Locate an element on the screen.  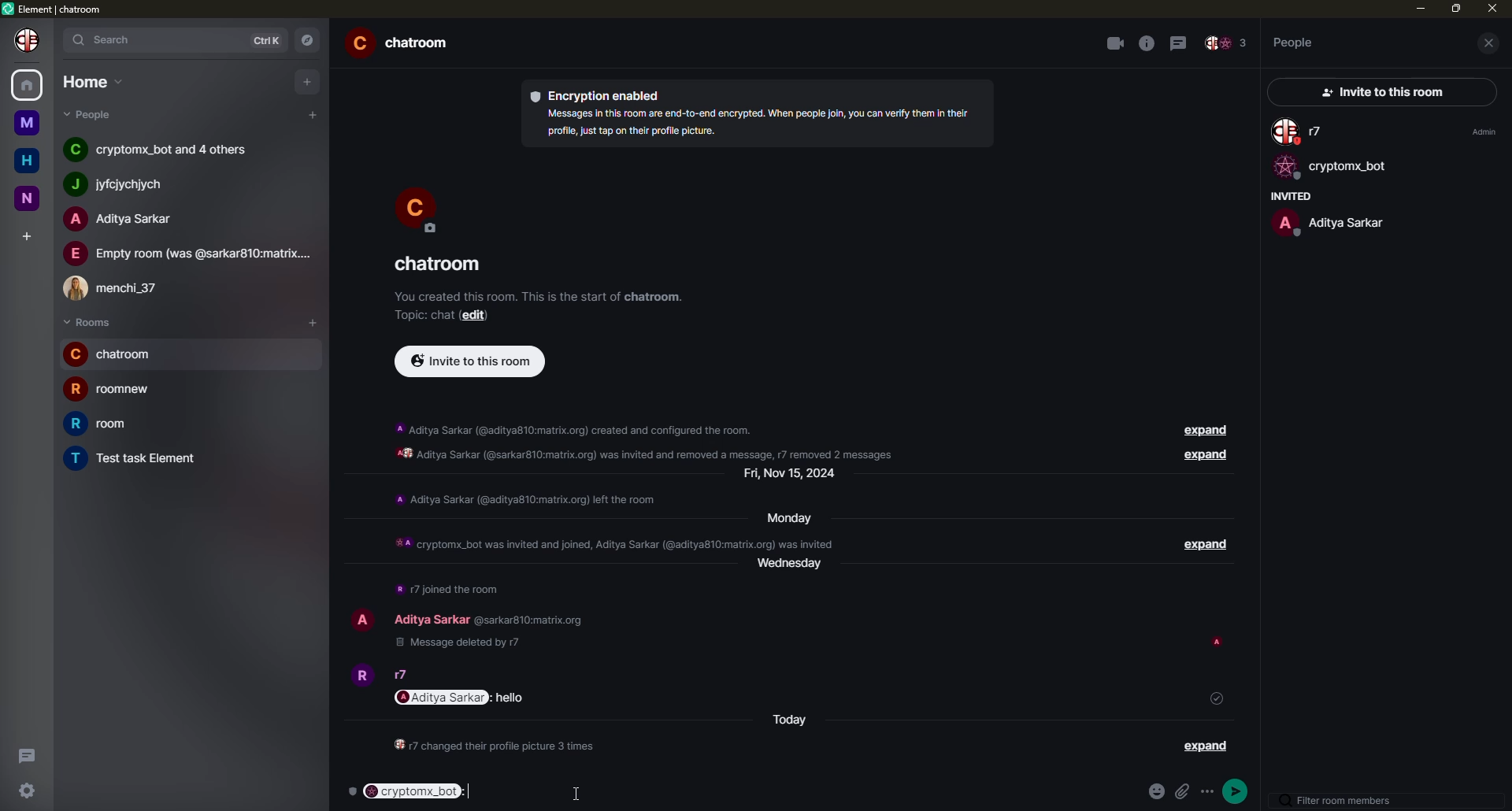
element is located at coordinates (57, 10).